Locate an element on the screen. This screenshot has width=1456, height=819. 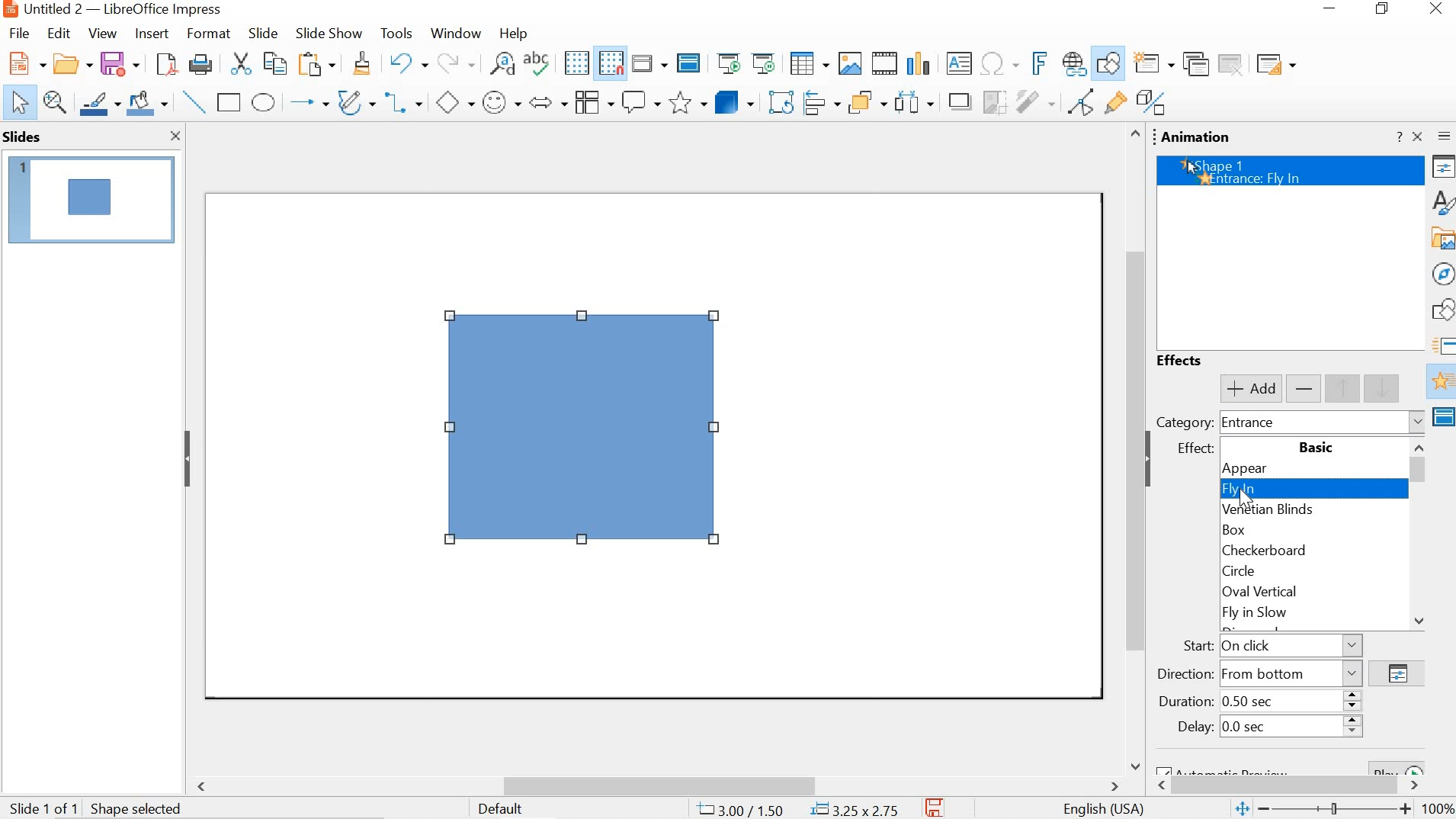
default is located at coordinates (508, 811).